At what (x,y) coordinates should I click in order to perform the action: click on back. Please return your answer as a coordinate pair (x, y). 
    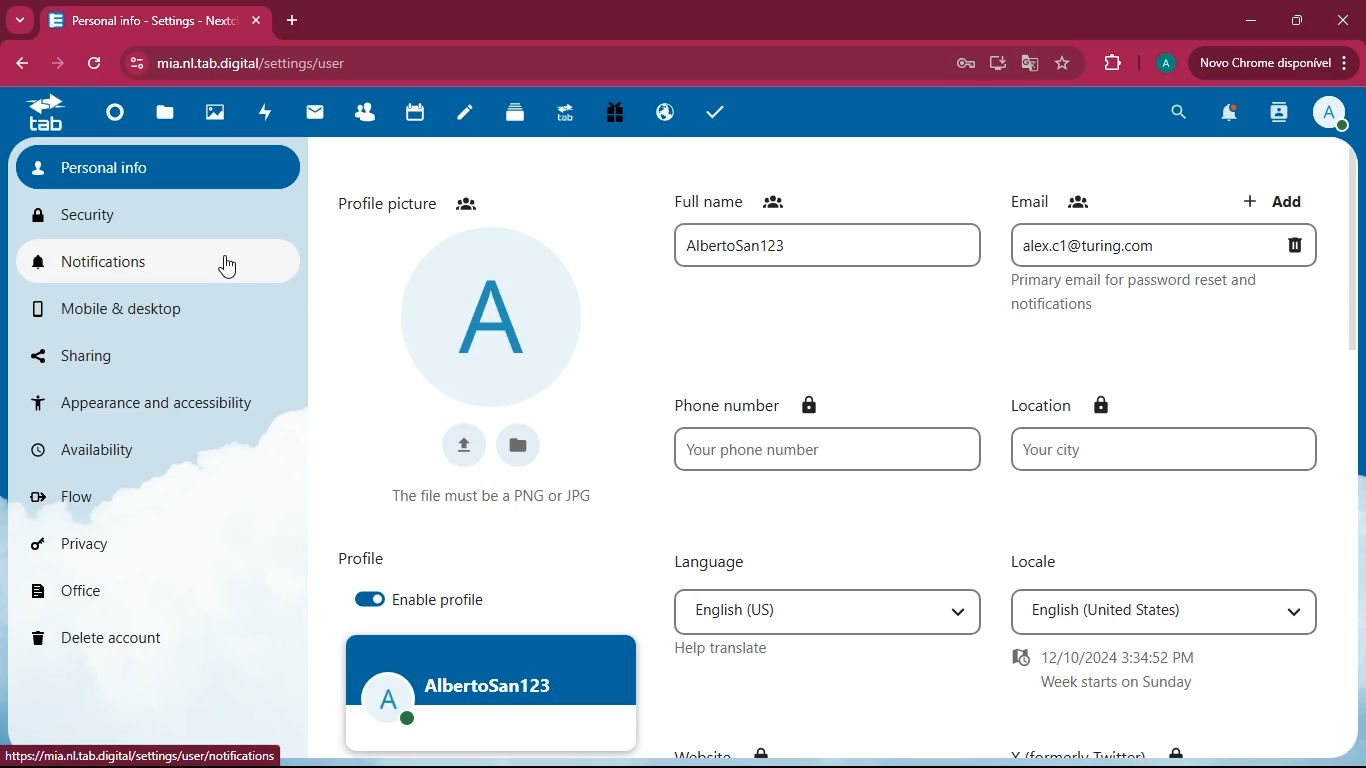
    Looking at the image, I should click on (21, 65).